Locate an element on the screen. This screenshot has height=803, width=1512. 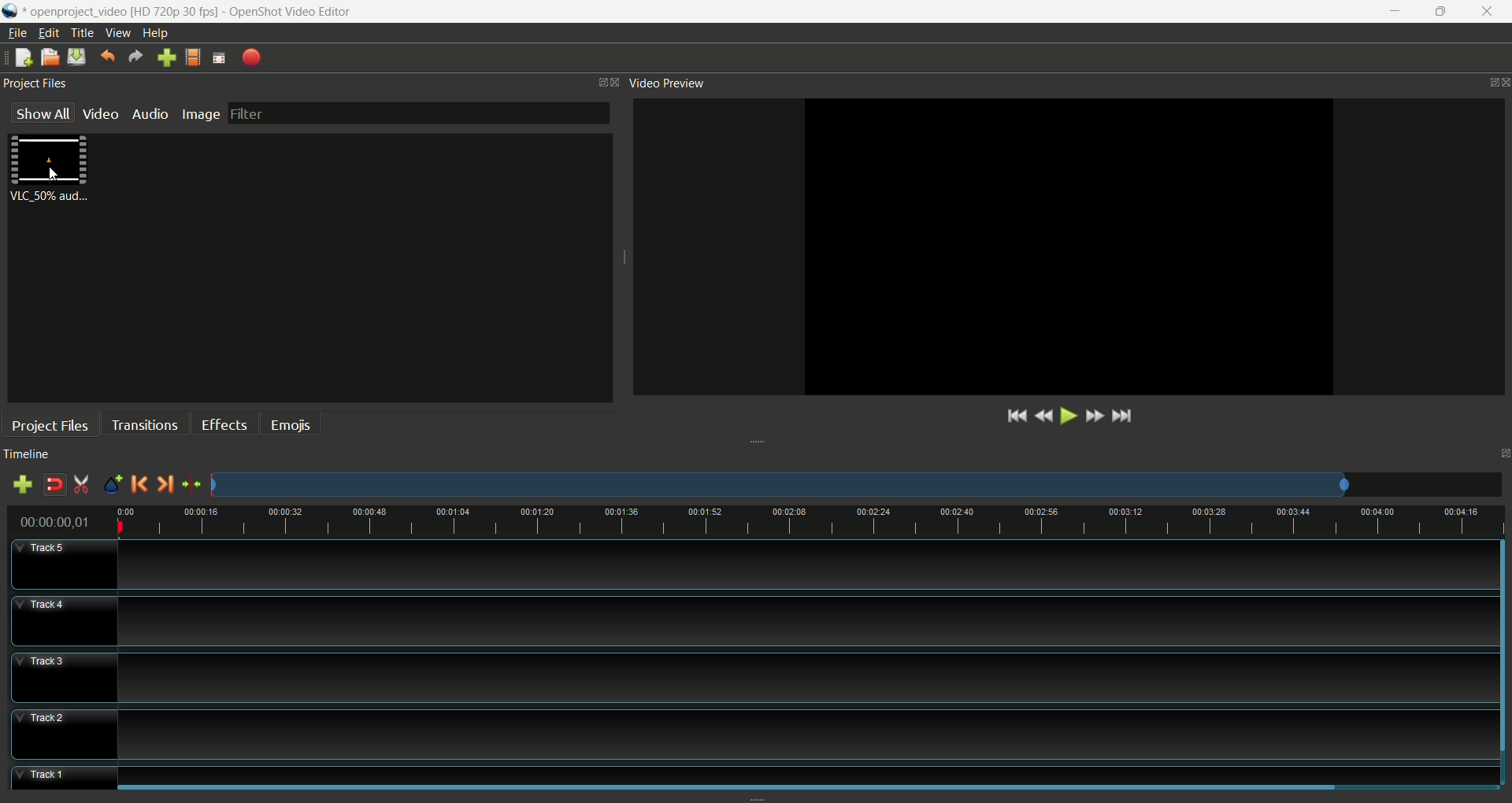
timeline is located at coordinates (31, 453).